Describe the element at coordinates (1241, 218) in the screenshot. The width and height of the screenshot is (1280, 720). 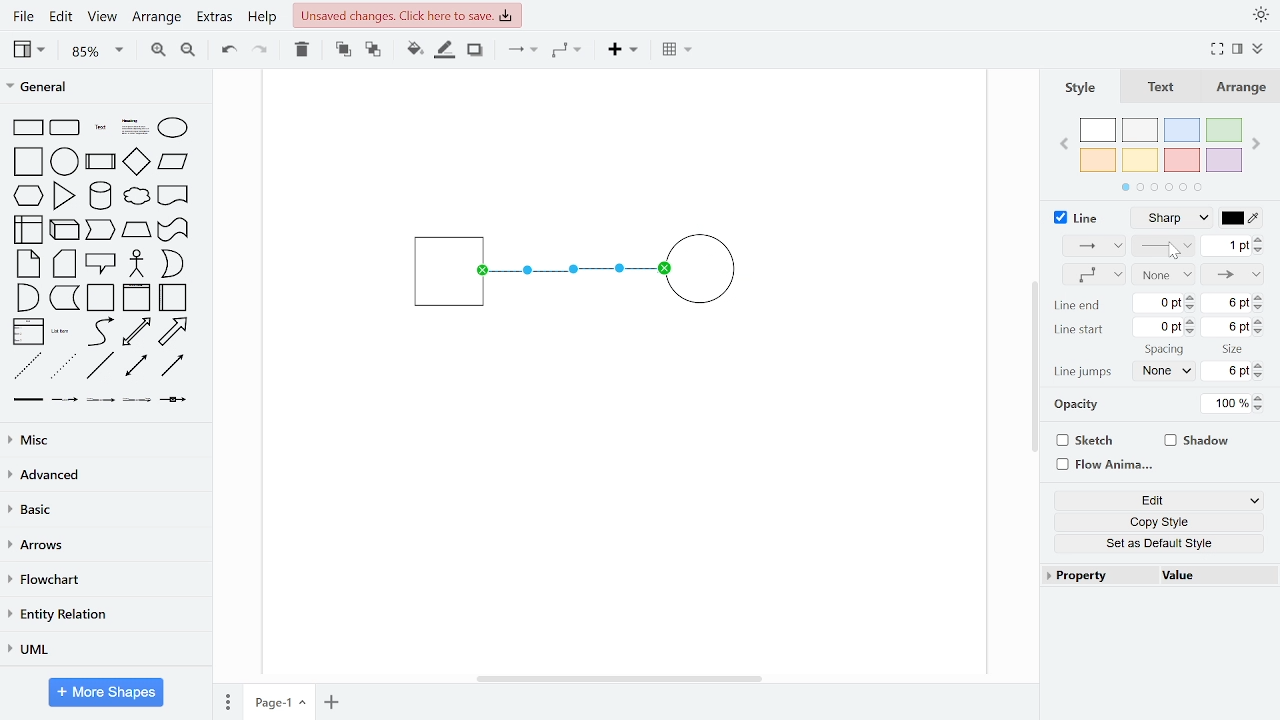
I see `line color` at that location.